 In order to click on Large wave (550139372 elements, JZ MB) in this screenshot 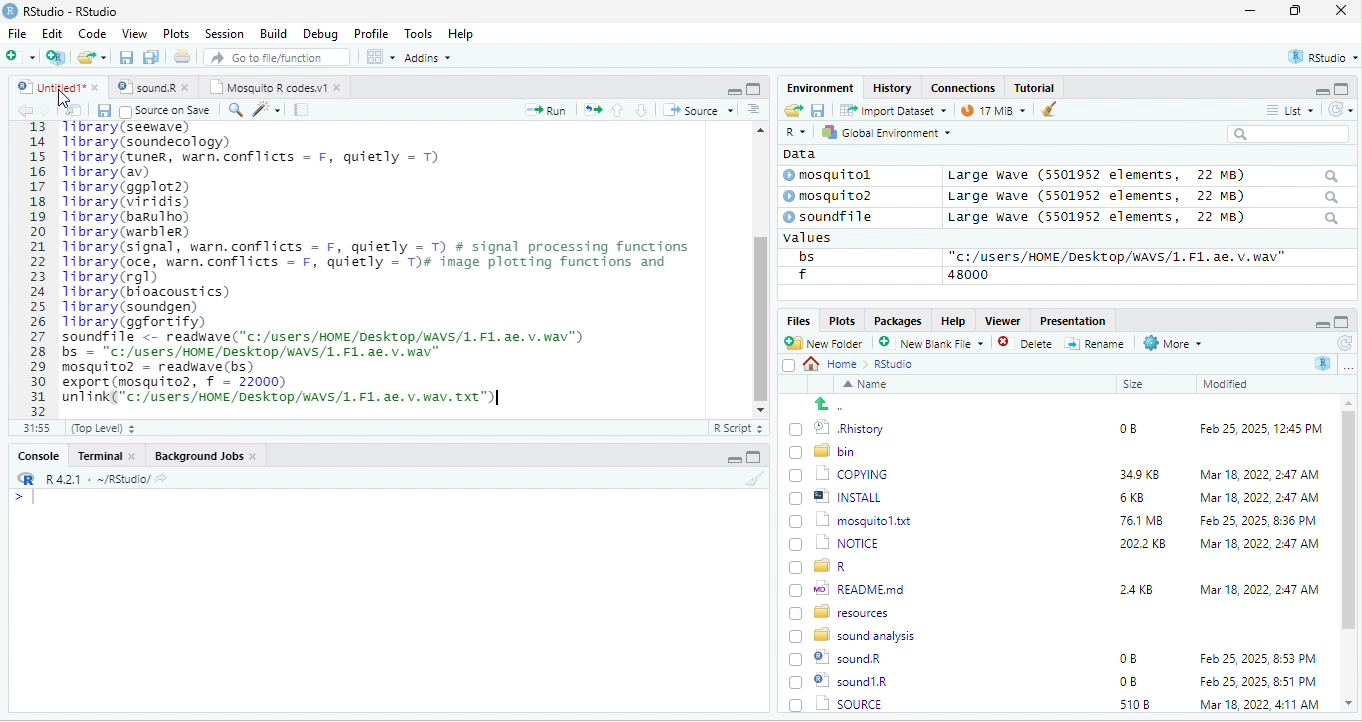, I will do `click(1145, 196)`.